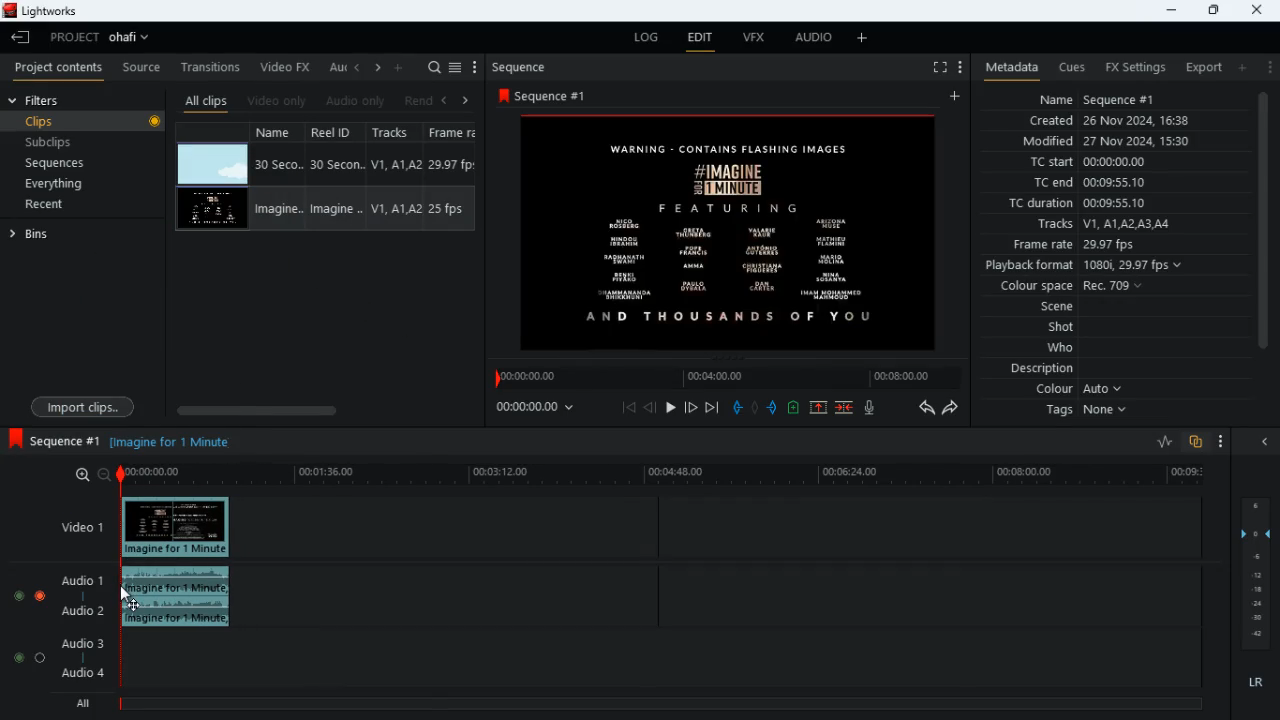  Describe the element at coordinates (1058, 308) in the screenshot. I see `scene` at that location.